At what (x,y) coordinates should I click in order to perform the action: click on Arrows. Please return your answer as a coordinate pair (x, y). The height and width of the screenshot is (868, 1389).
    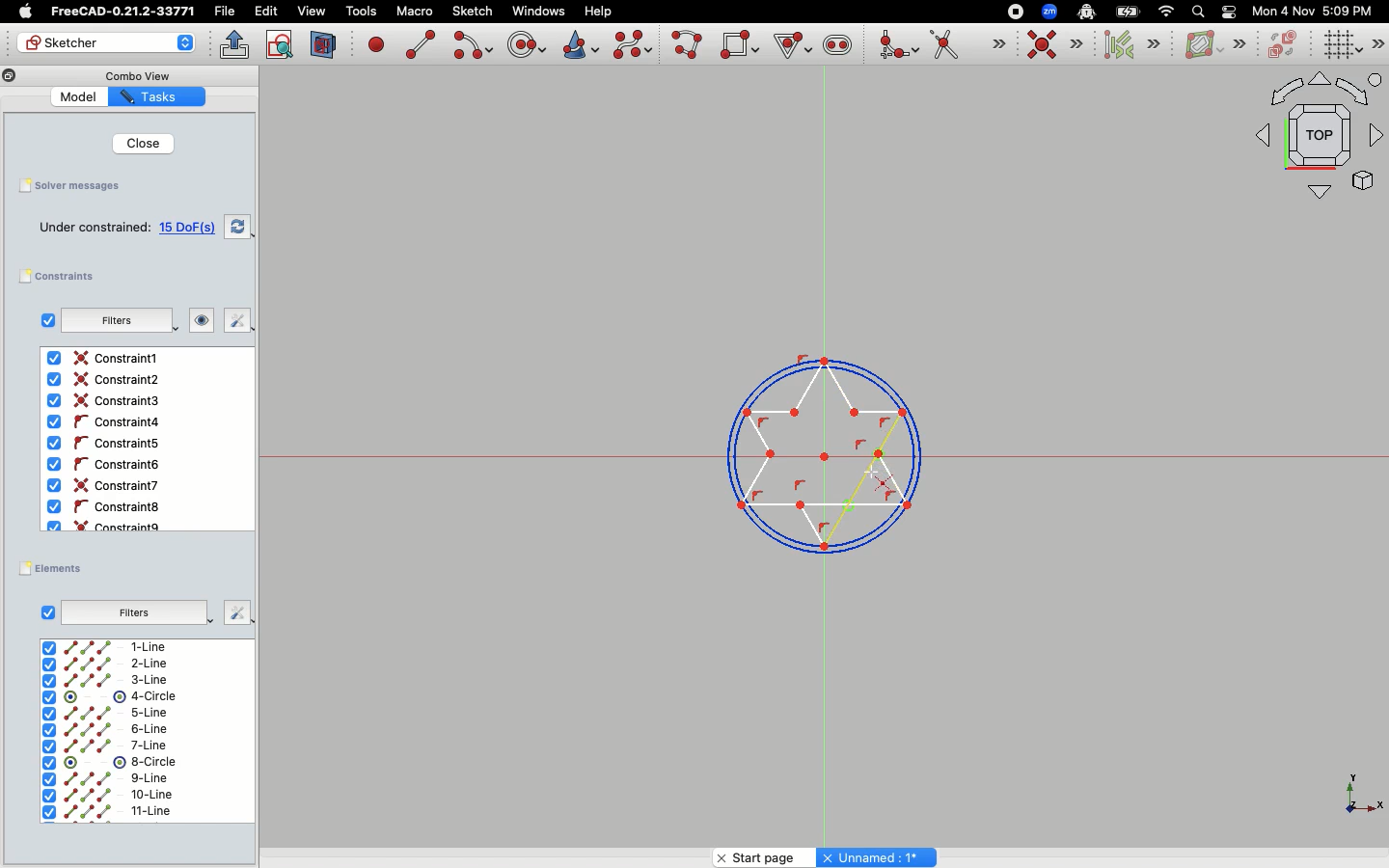
    Looking at the image, I should click on (187, 44).